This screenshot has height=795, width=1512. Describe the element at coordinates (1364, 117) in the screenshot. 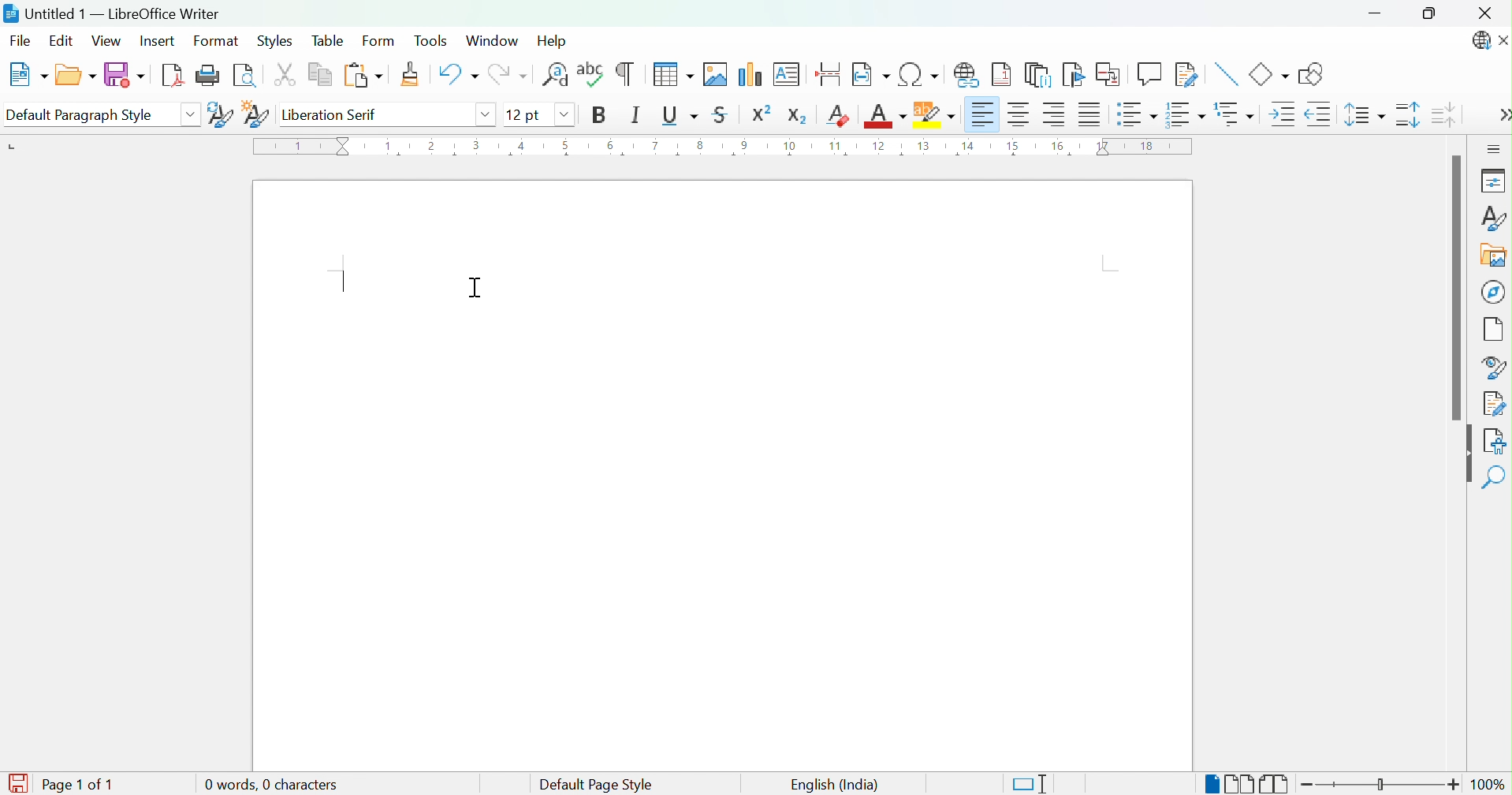

I see `Set Line Spacing` at that location.